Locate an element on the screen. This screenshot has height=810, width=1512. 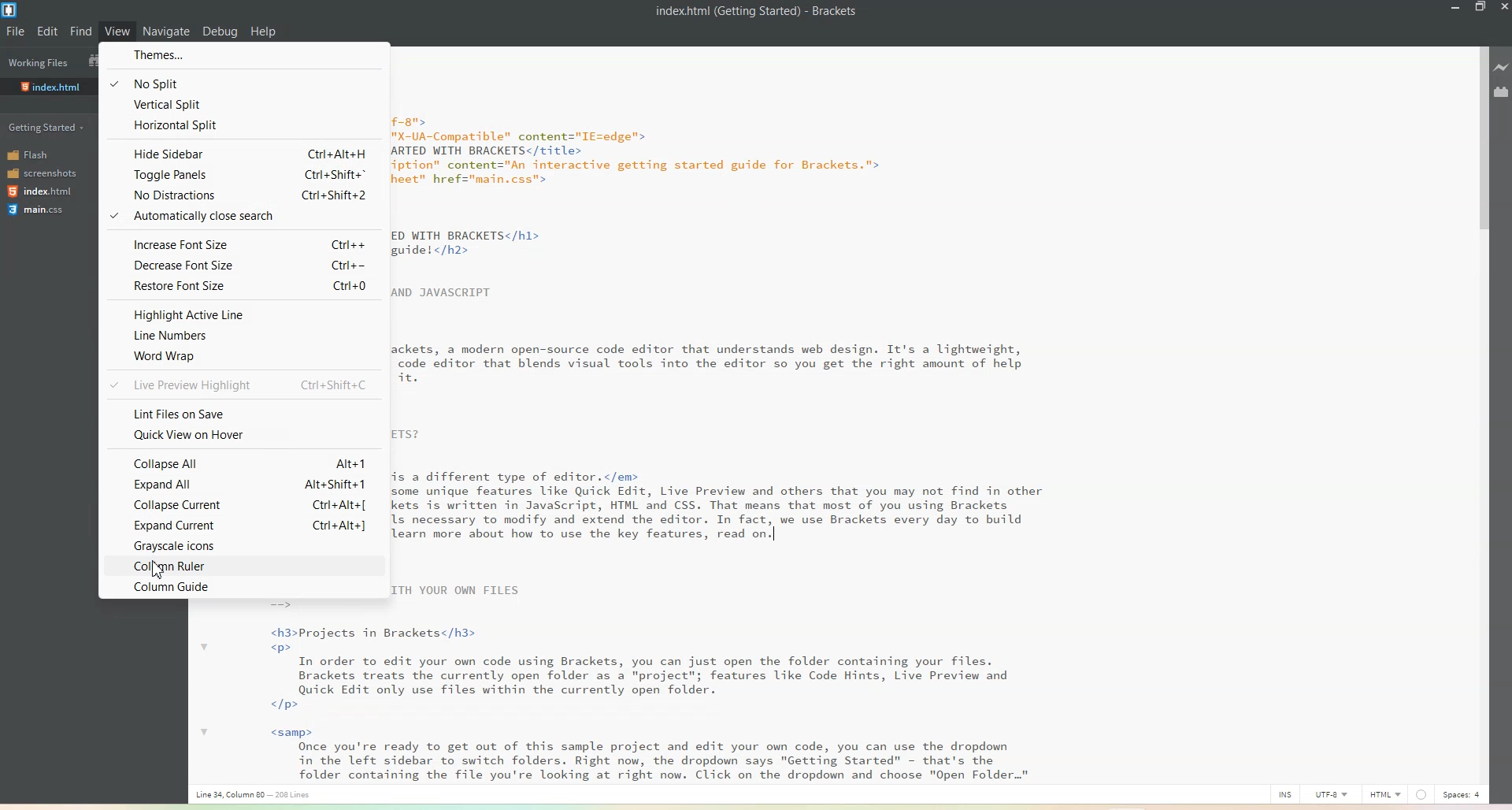
Text is located at coordinates (734, 417).